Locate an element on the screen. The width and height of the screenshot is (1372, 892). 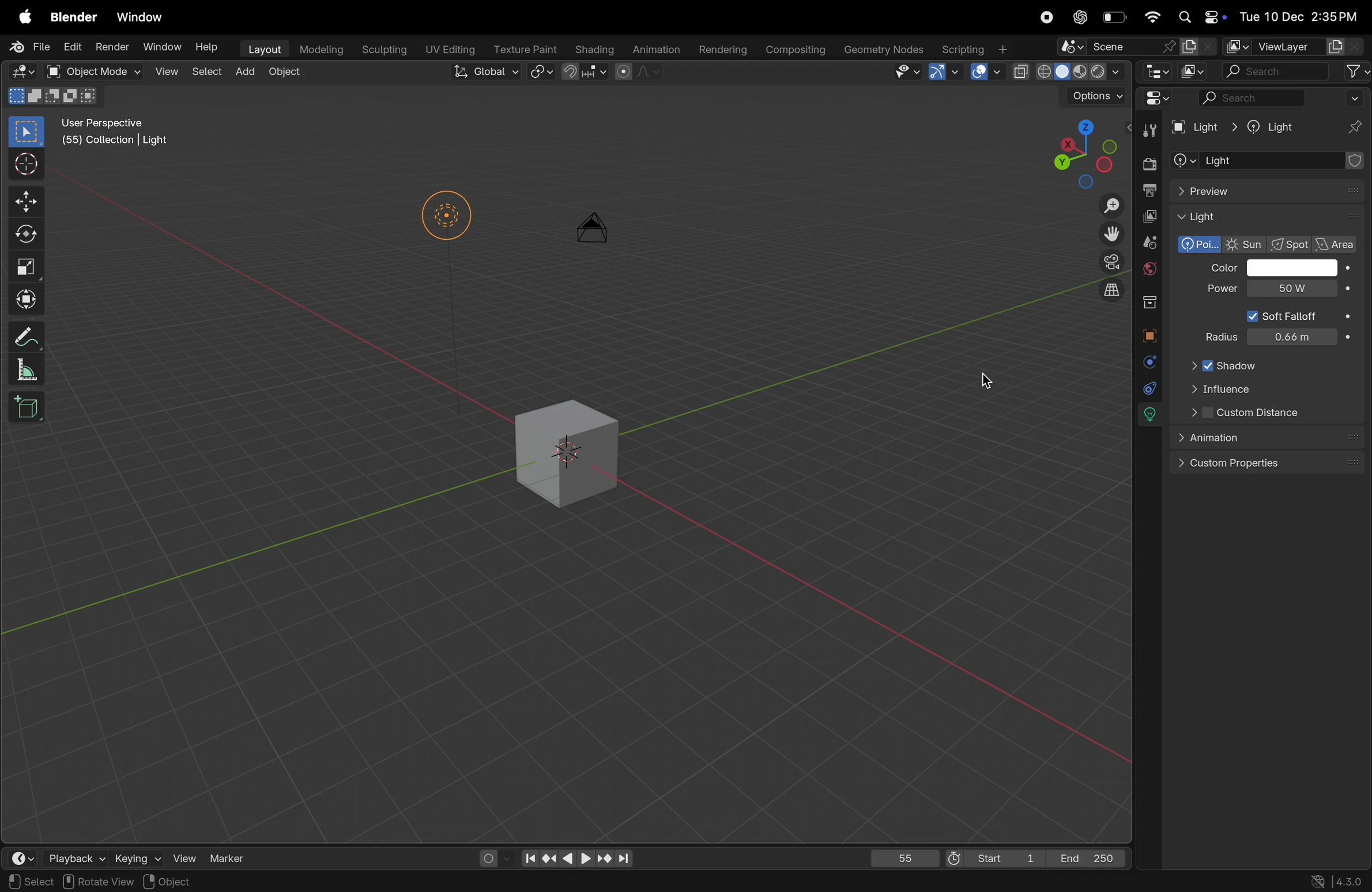
End is located at coordinates (1092, 858).